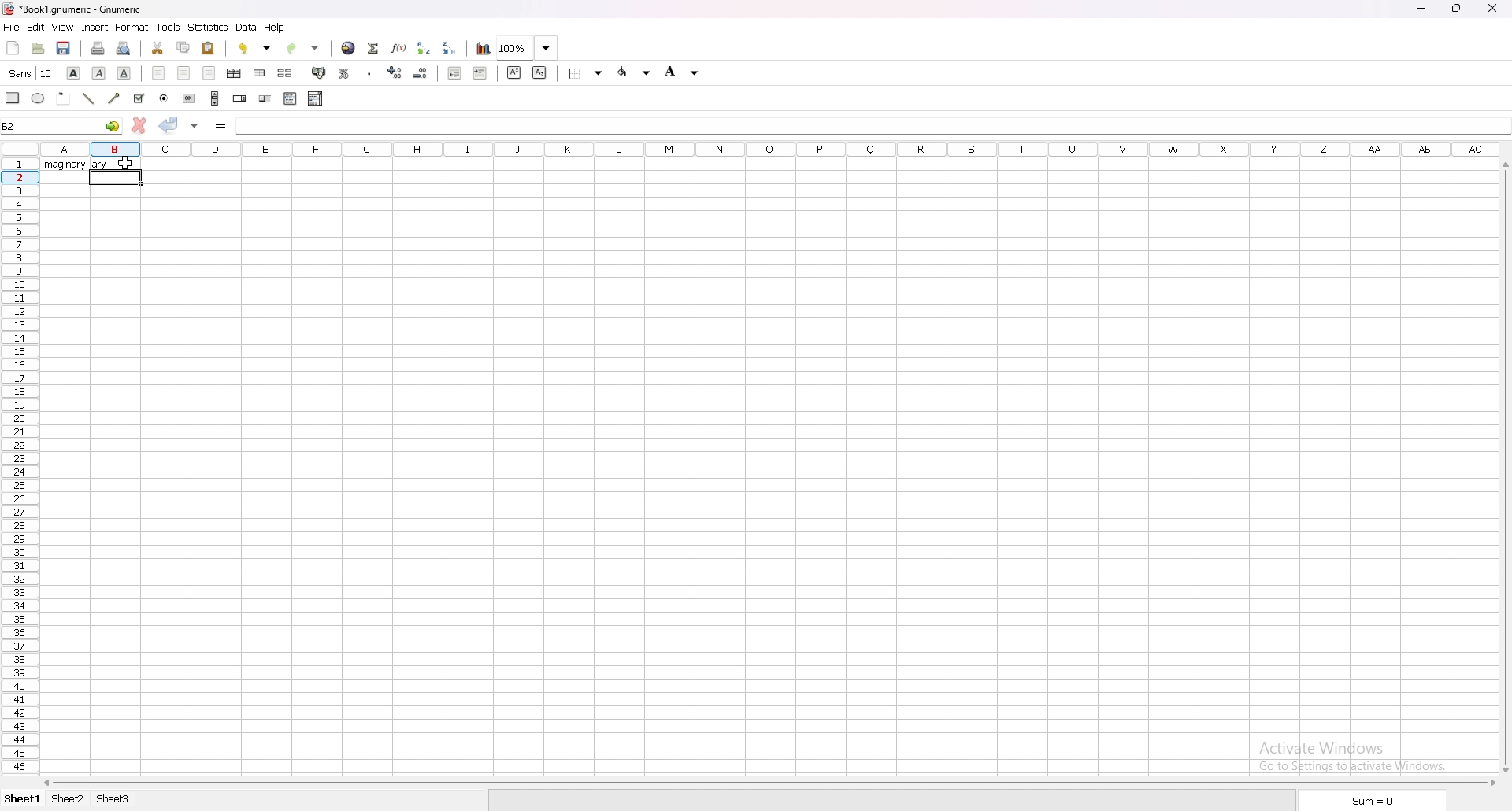  I want to click on scroll bar, so click(1504, 465).